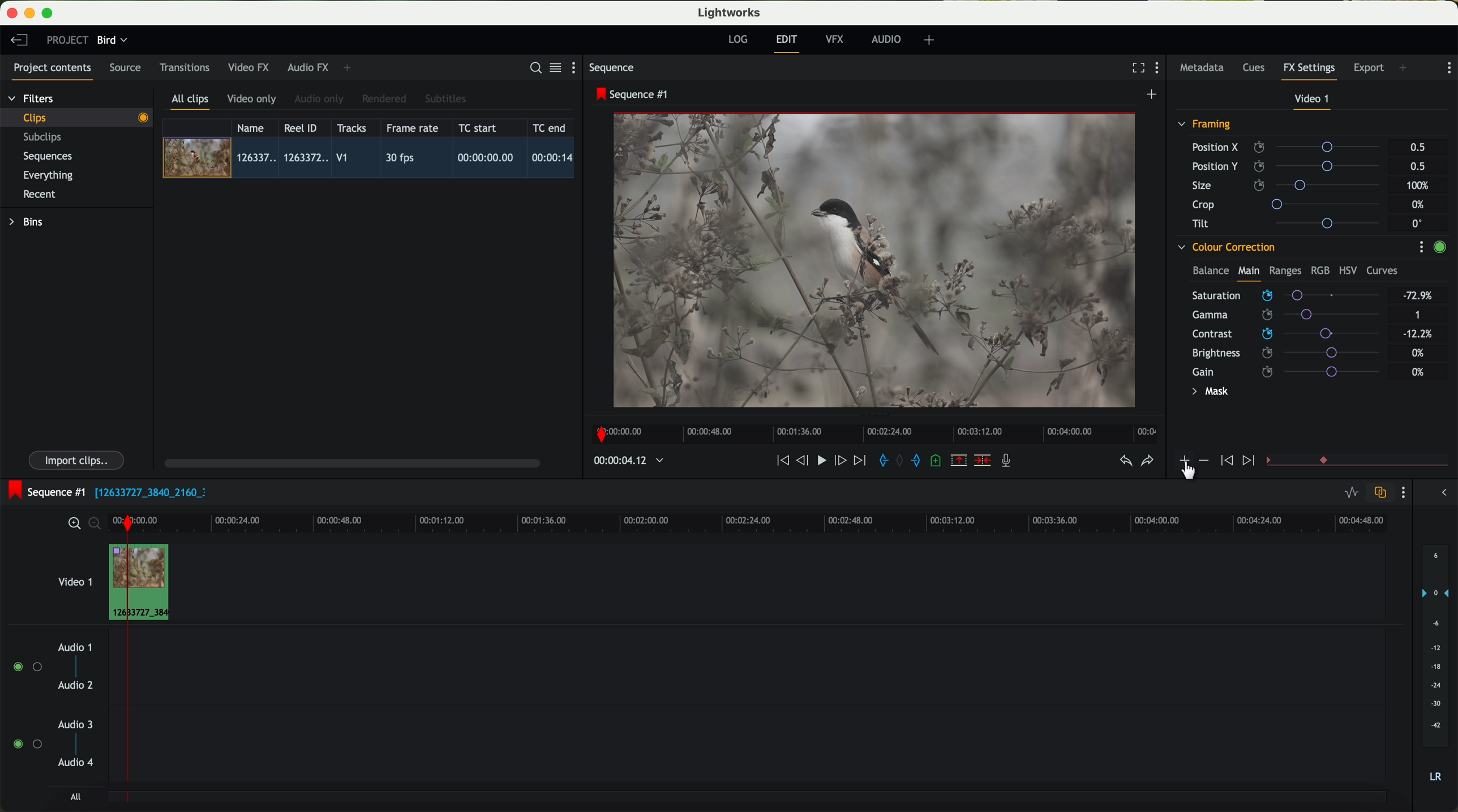 This screenshot has width=1458, height=812. I want to click on clear marks, so click(900, 461).